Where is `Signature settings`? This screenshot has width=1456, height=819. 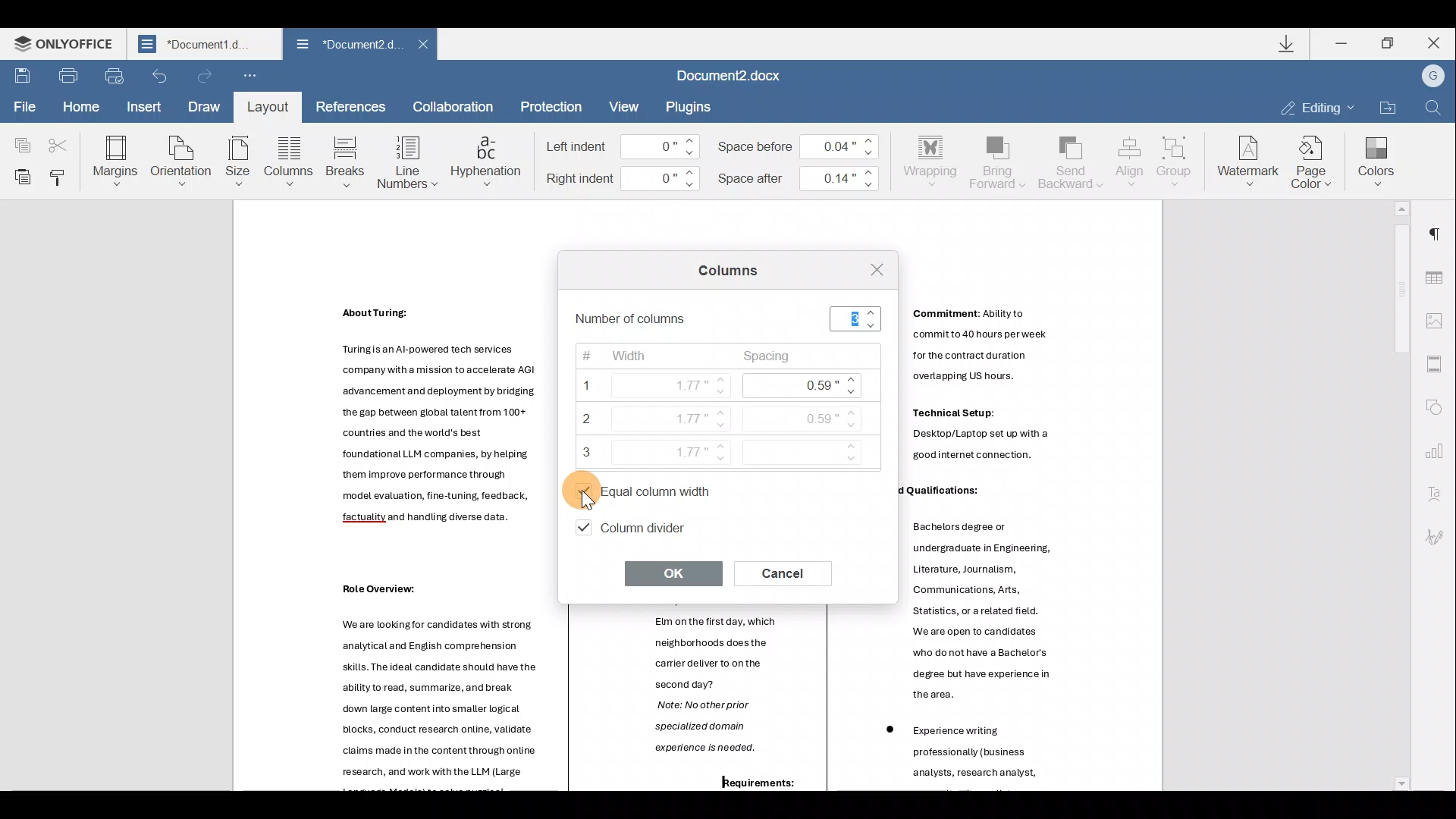
Signature settings is located at coordinates (1441, 536).